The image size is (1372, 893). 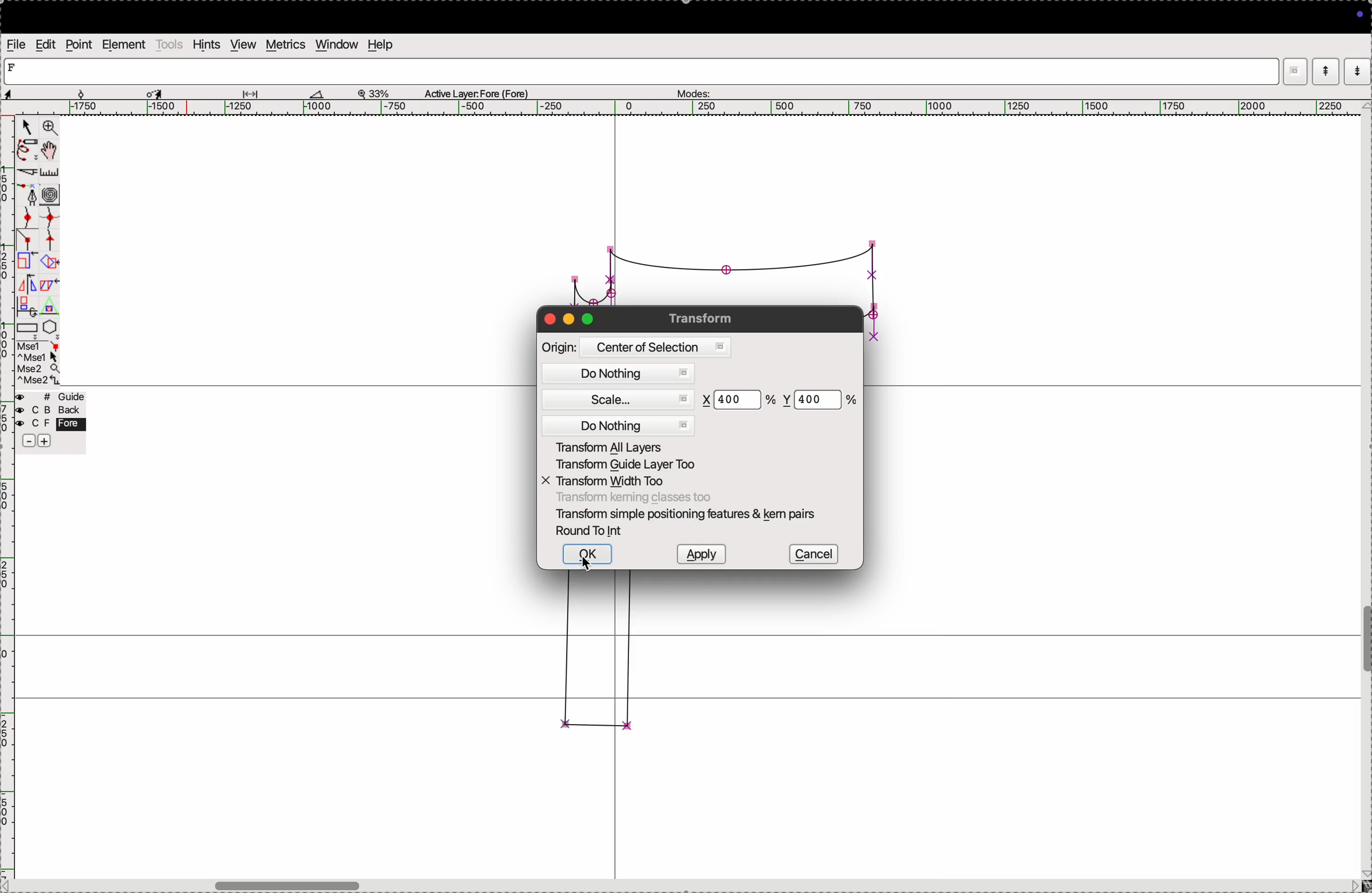 What do you see at coordinates (679, 108) in the screenshot?
I see `horizontal scale` at bounding box center [679, 108].